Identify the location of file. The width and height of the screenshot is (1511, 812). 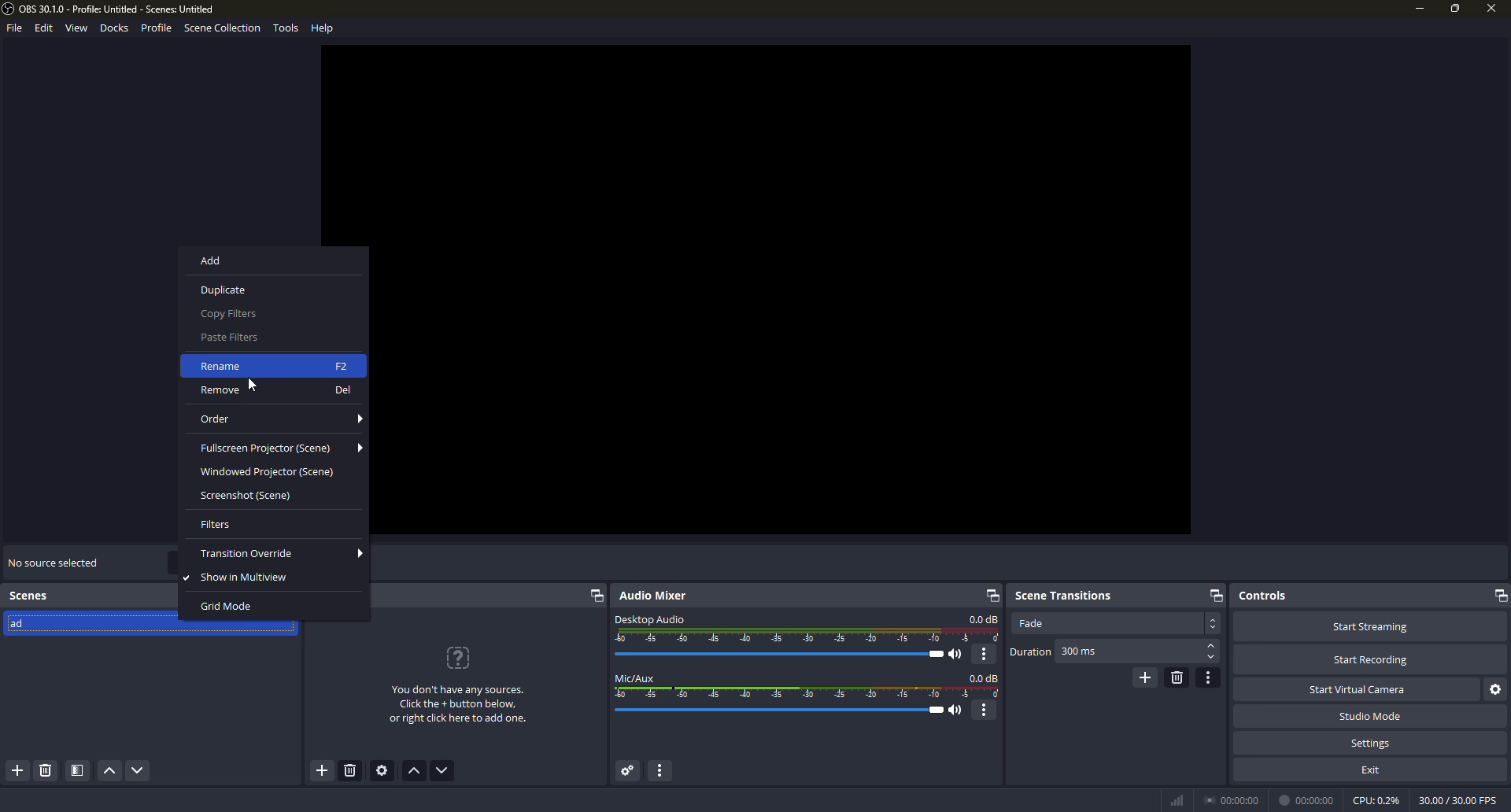
(13, 30).